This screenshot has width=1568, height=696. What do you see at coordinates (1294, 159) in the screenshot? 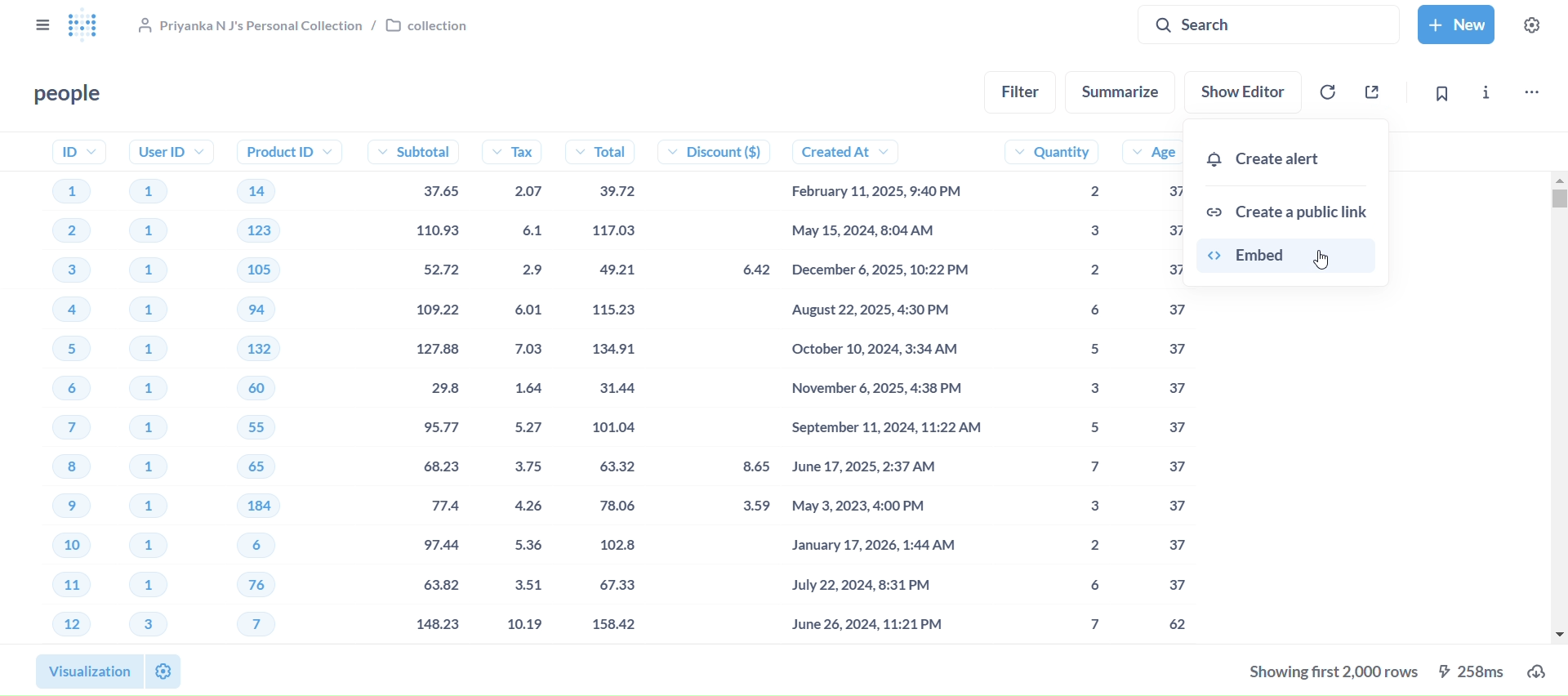
I see `create alert` at bounding box center [1294, 159].